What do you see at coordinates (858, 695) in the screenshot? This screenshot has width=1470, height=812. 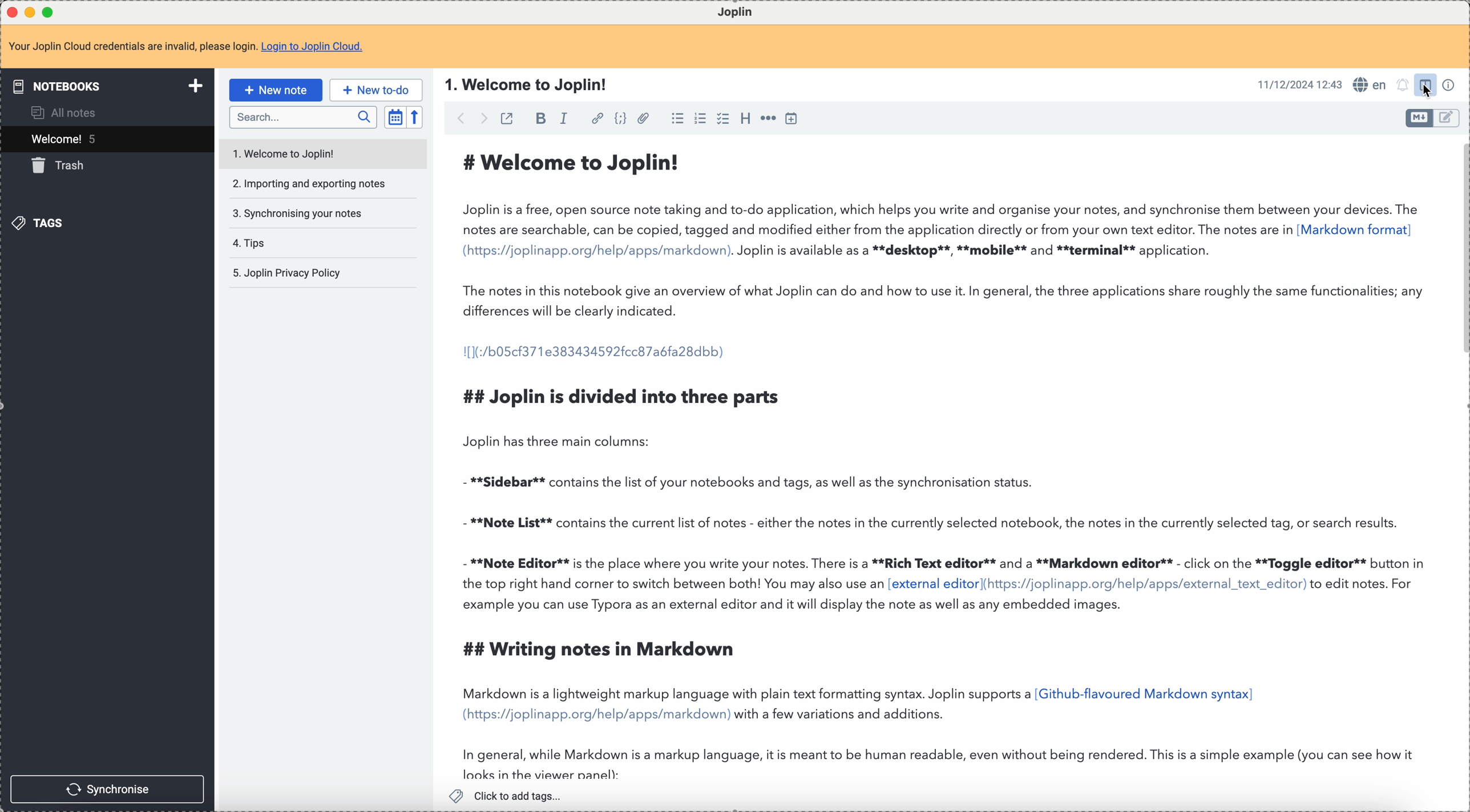 I see `Markdown is a lightweight markup language with plain text formatting syntax. Joplin supports a [Github-flavoured Markdown syntax]` at bounding box center [858, 695].